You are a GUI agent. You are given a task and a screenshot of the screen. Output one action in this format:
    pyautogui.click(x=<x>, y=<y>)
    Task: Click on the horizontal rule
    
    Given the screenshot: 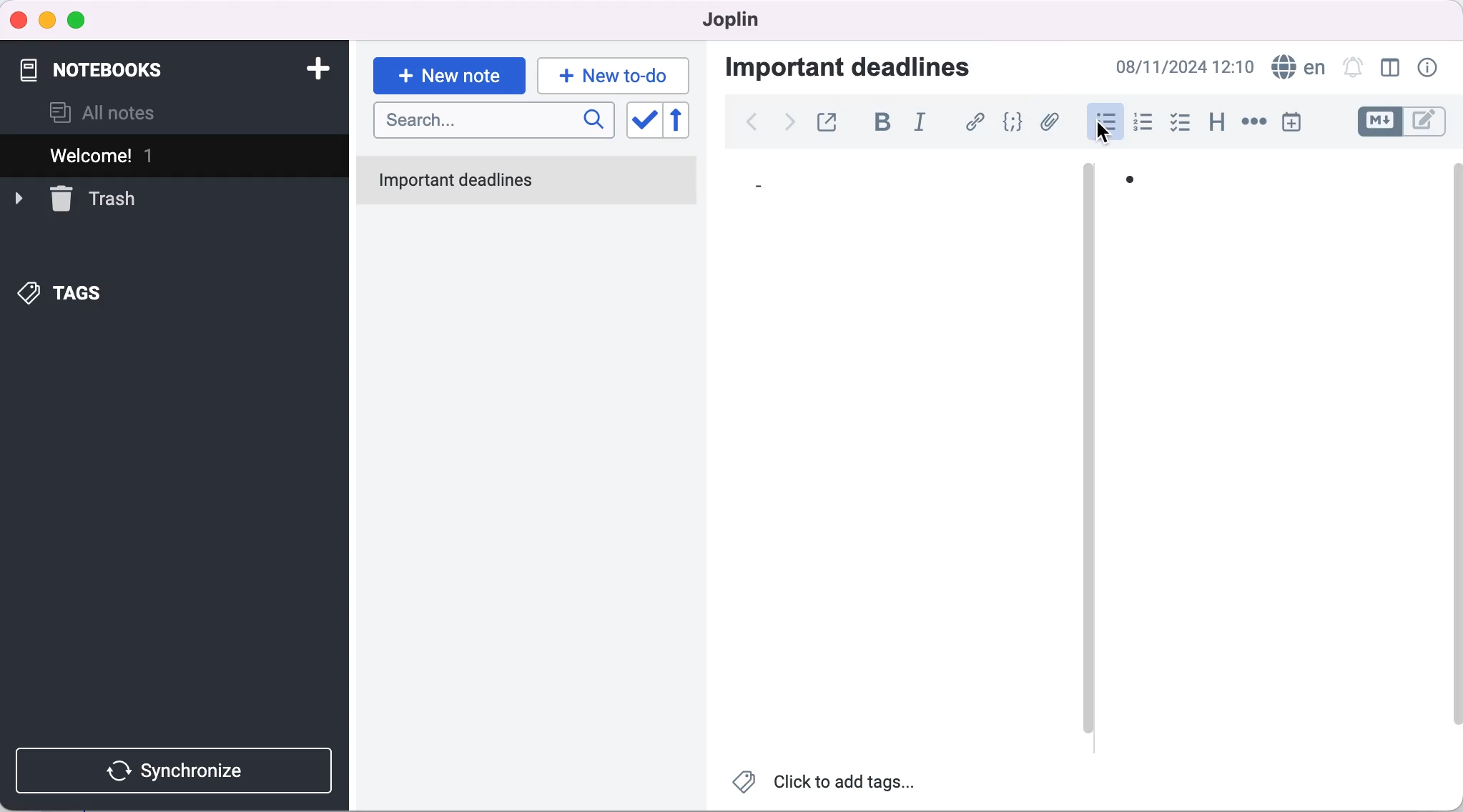 What is the action you would take?
    pyautogui.click(x=1253, y=123)
    